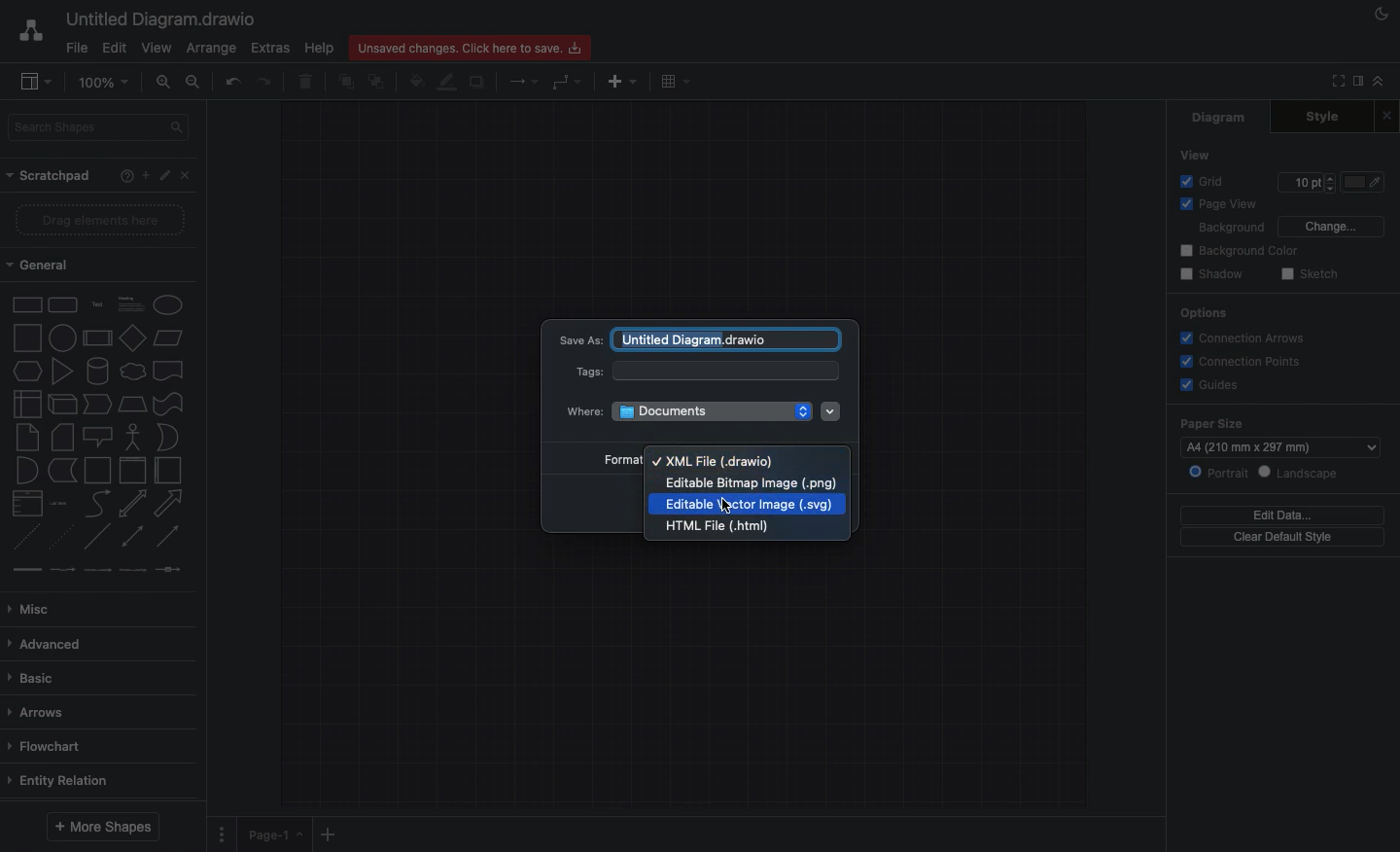  I want to click on Undo, so click(231, 82).